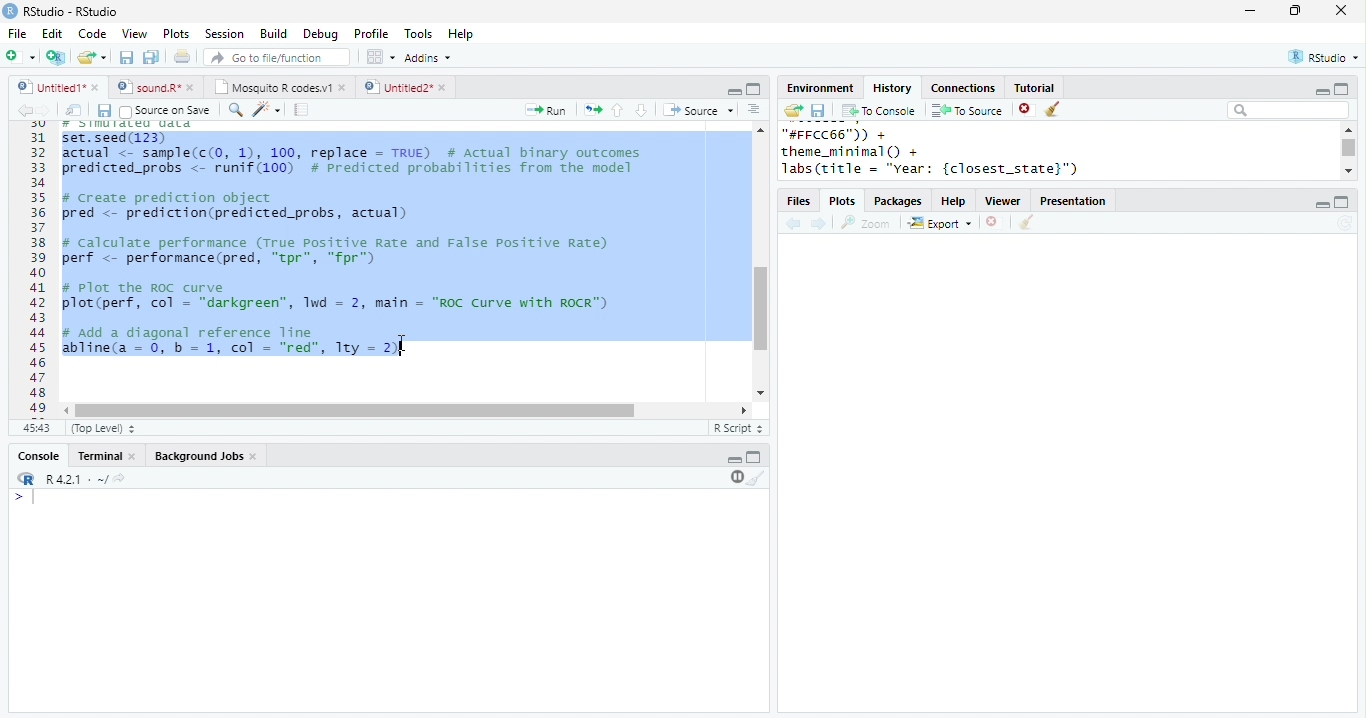  I want to click on Untitled 1, so click(48, 86).